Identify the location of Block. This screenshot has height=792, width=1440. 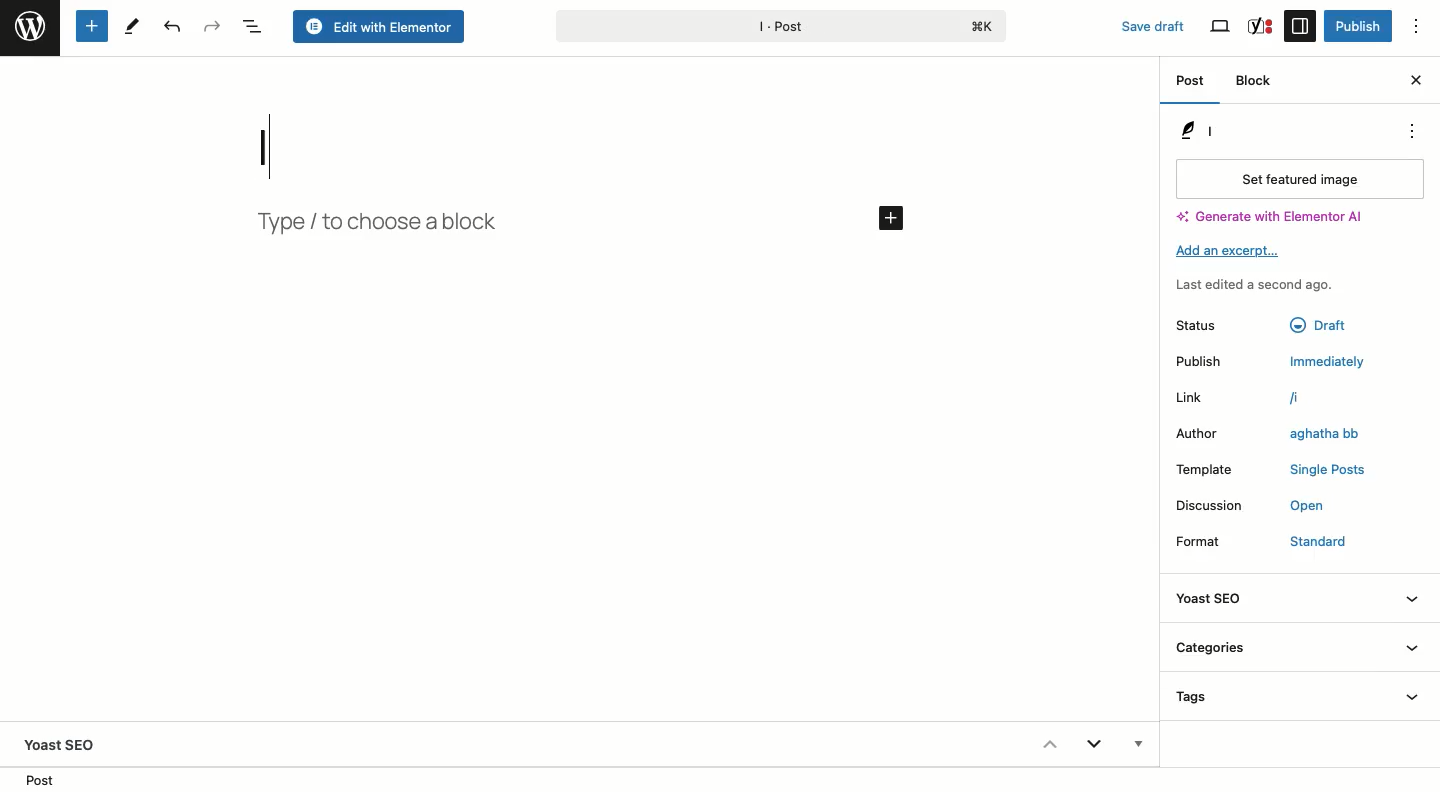
(1258, 83).